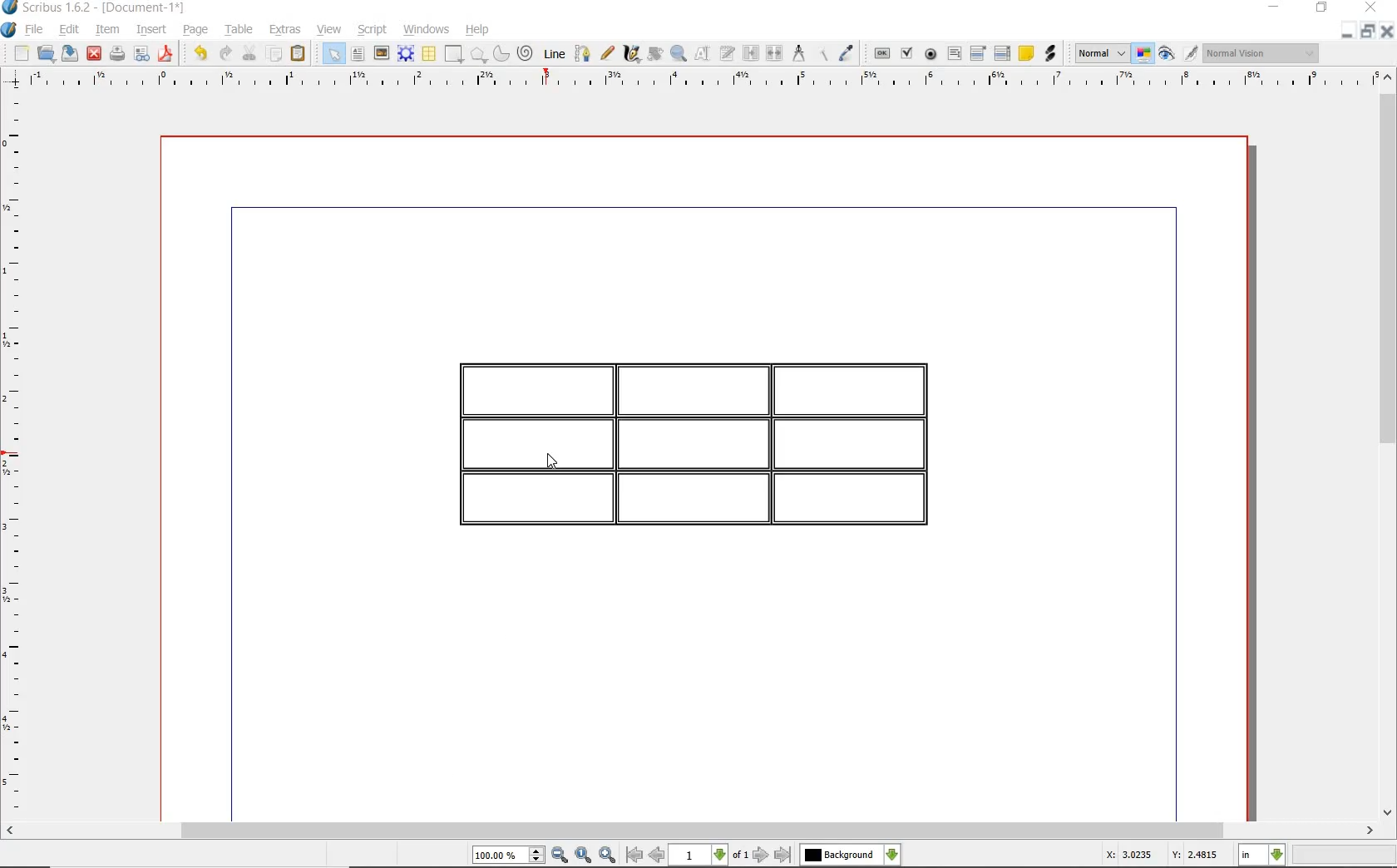  What do you see at coordinates (299, 53) in the screenshot?
I see `paste` at bounding box center [299, 53].